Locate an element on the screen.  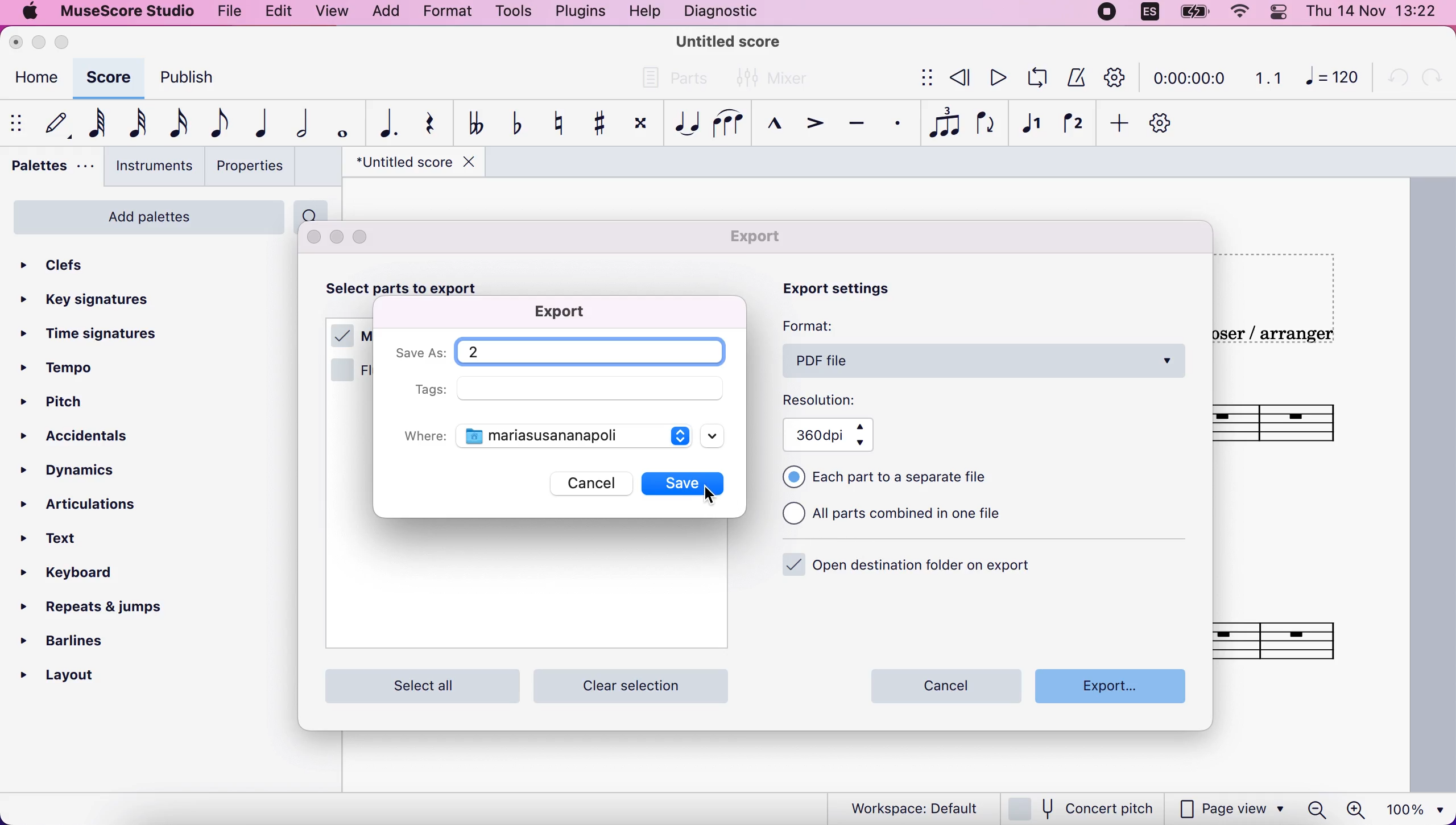
100% is located at coordinates (1418, 808).